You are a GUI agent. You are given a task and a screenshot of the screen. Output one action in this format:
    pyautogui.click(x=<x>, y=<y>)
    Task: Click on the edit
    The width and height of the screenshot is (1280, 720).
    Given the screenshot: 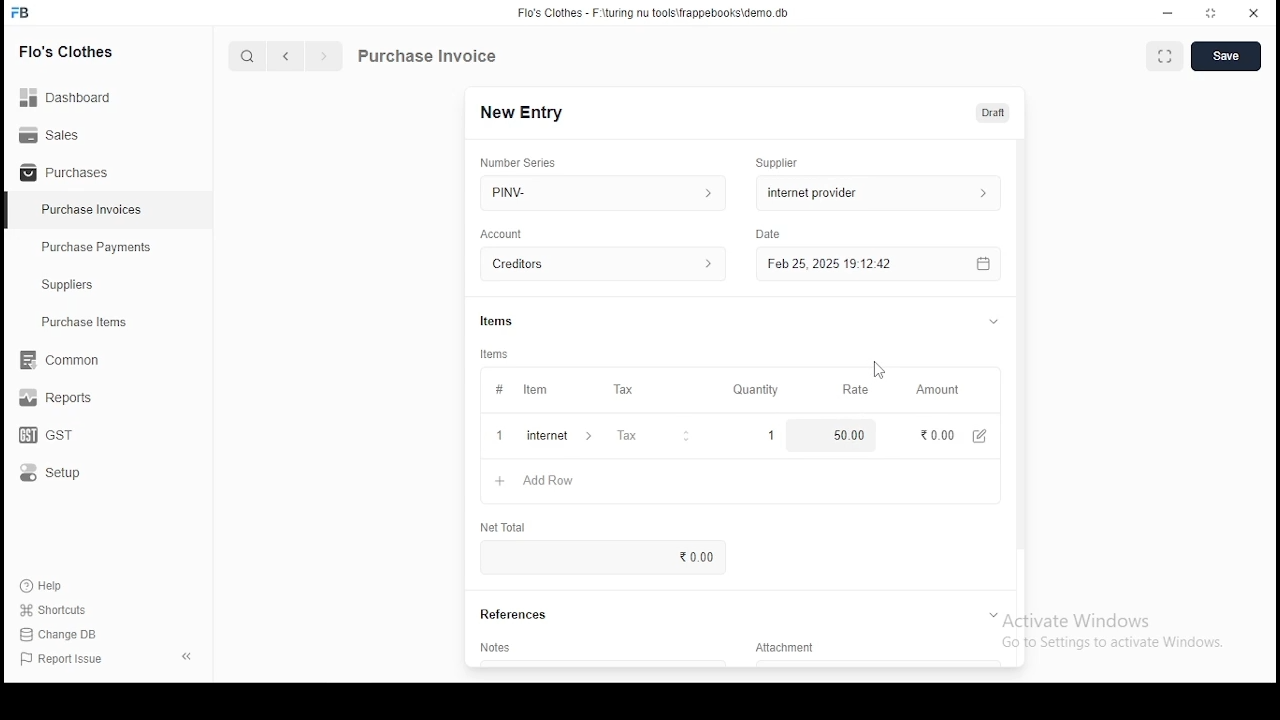 What is the action you would take?
    pyautogui.click(x=974, y=437)
    